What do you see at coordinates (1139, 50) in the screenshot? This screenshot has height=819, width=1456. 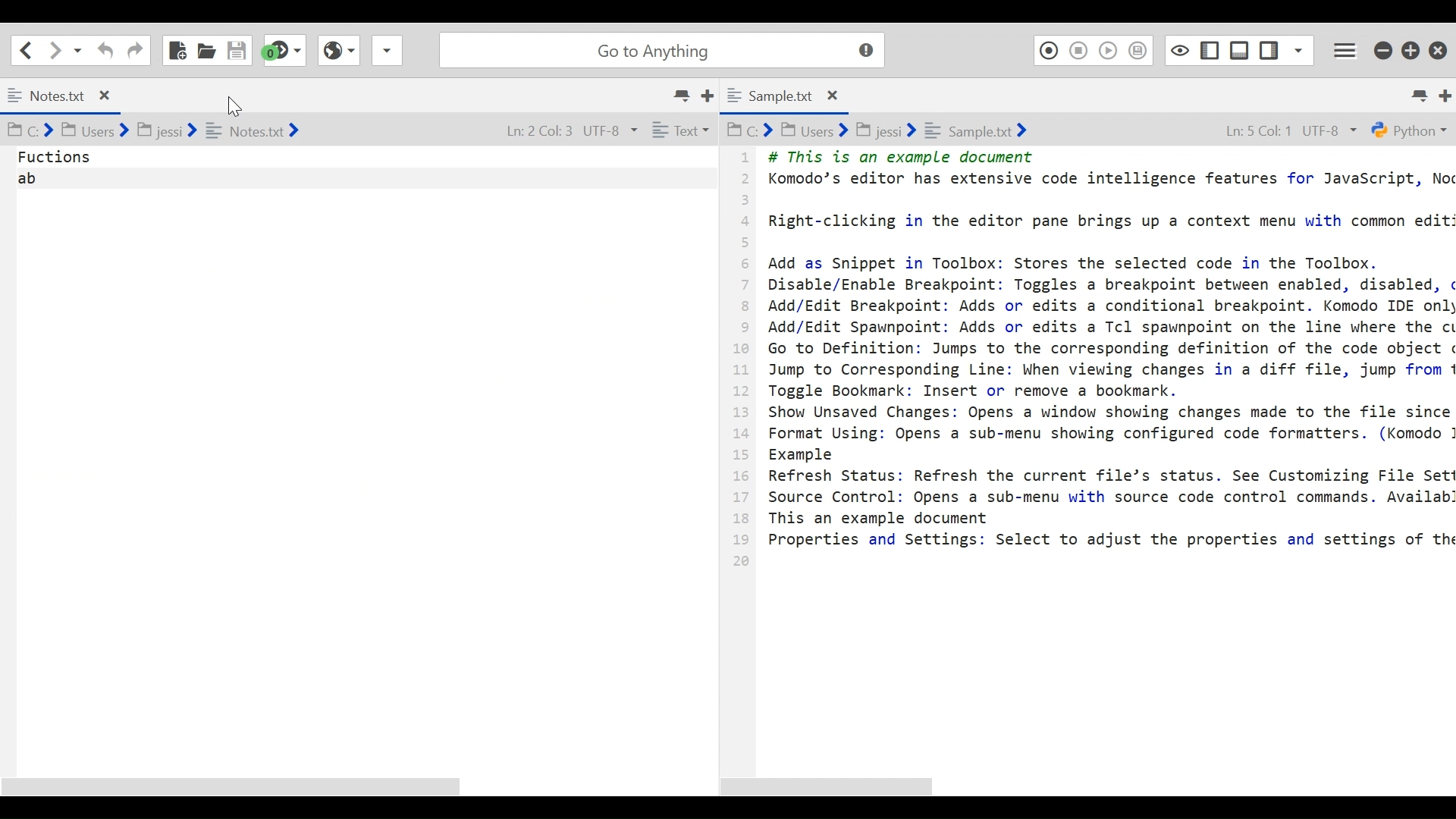 I see `Save Macro to Toolbox as Superscript` at bounding box center [1139, 50].